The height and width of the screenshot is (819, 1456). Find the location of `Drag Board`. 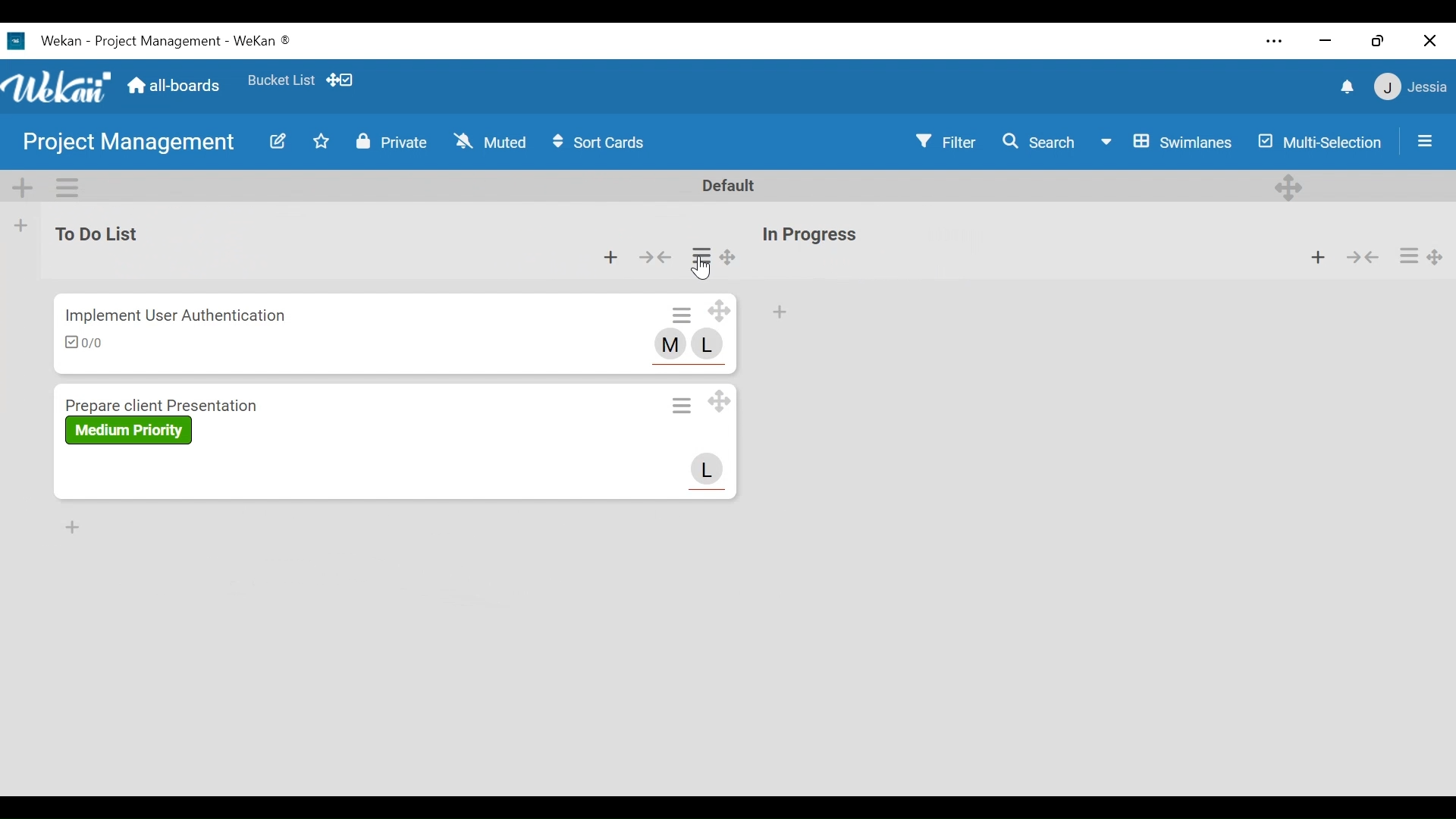

Drag Board is located at coordinates (1437, 256).